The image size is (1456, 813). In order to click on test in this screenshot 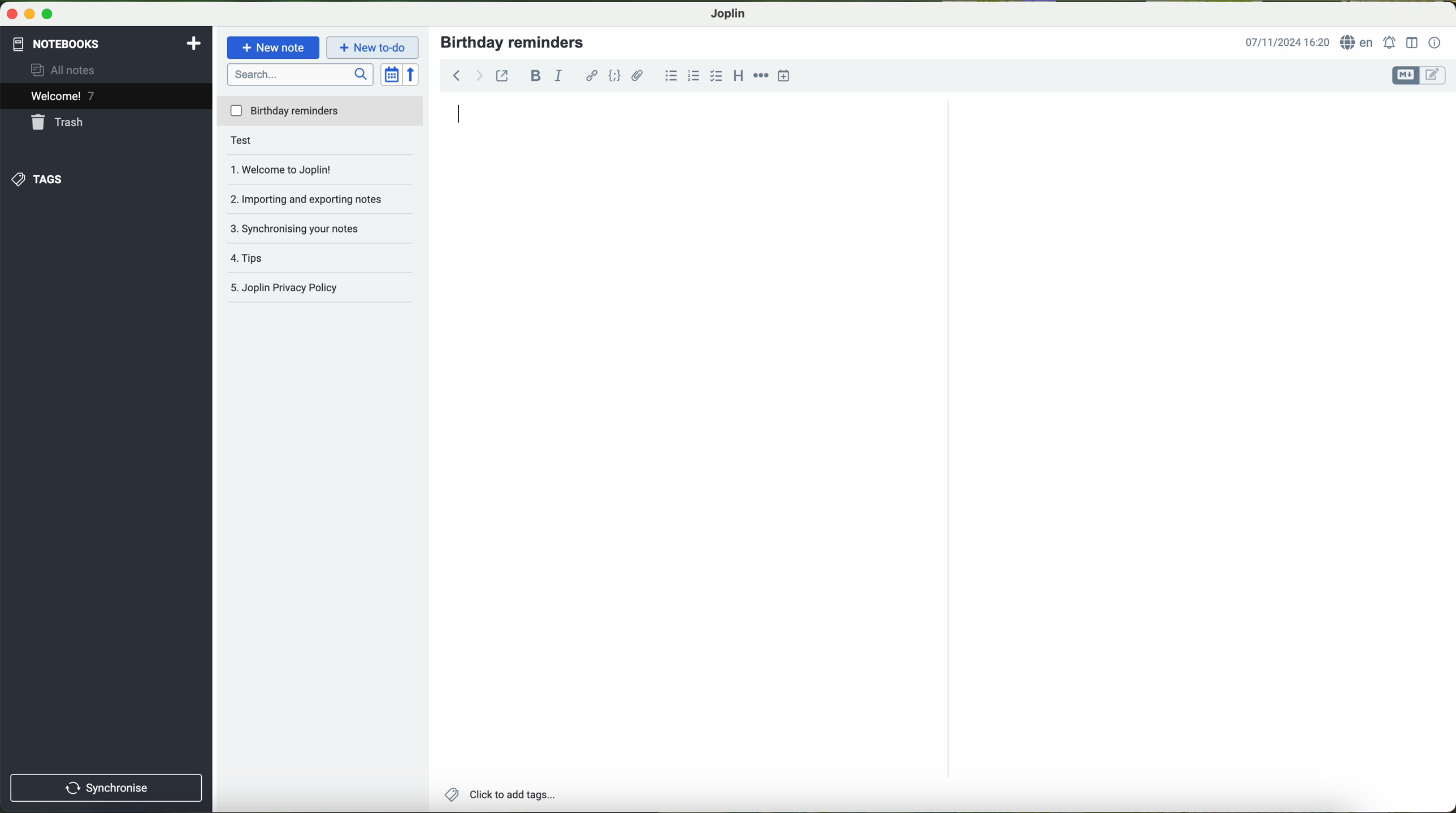, I will do `click(261, 142)`.